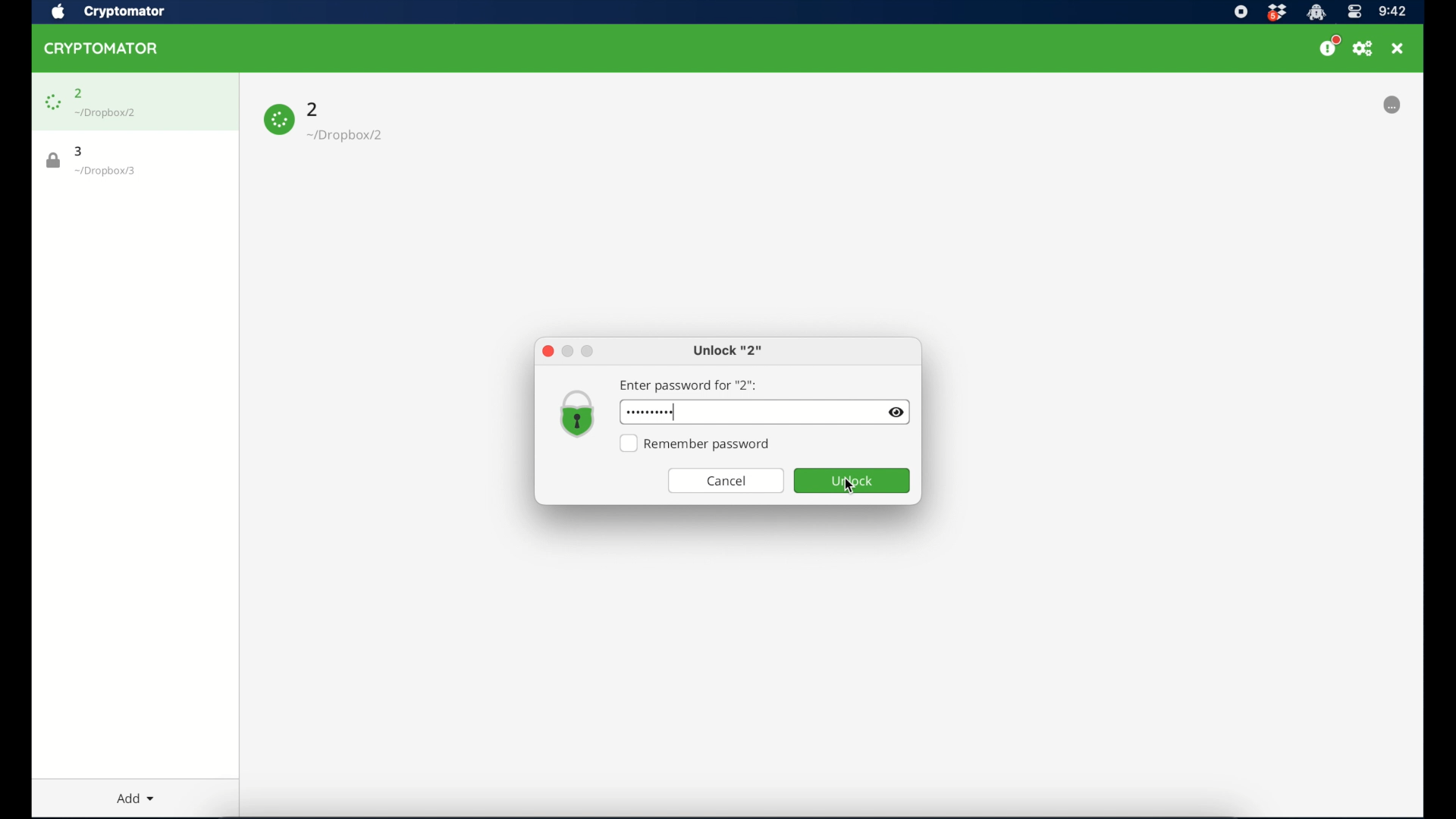 The height and width of the screenshot is (819, 1456). Describe the element at coordinates (1240, 12) in the screenshot. I see `screen recorder icon` at that location.